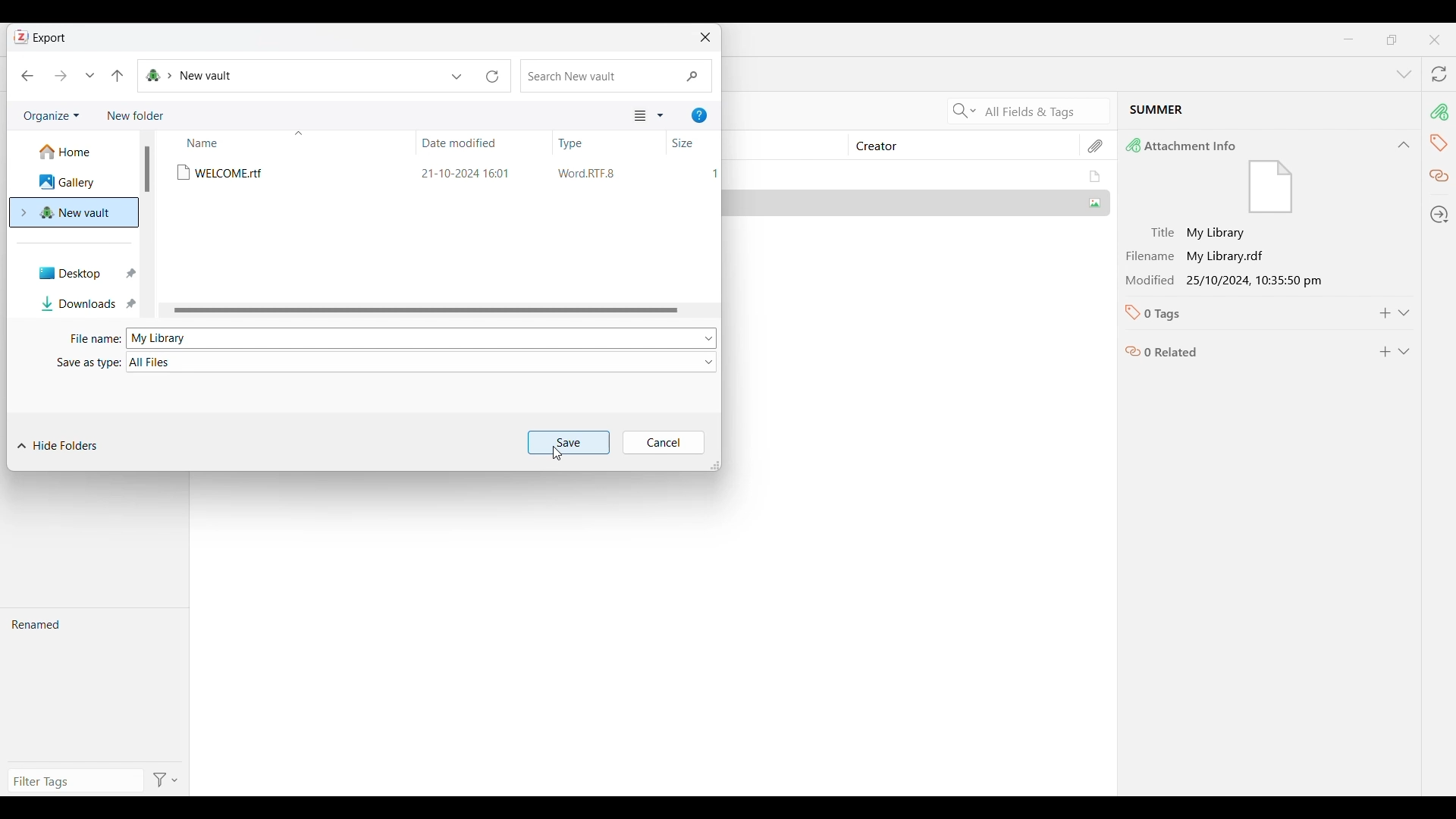 The width and height of the screenshot is (1456, 819). What do you see at coordinates (88, 337) in the screenshot?
I see `File name :` at bounding box center [88, 337].